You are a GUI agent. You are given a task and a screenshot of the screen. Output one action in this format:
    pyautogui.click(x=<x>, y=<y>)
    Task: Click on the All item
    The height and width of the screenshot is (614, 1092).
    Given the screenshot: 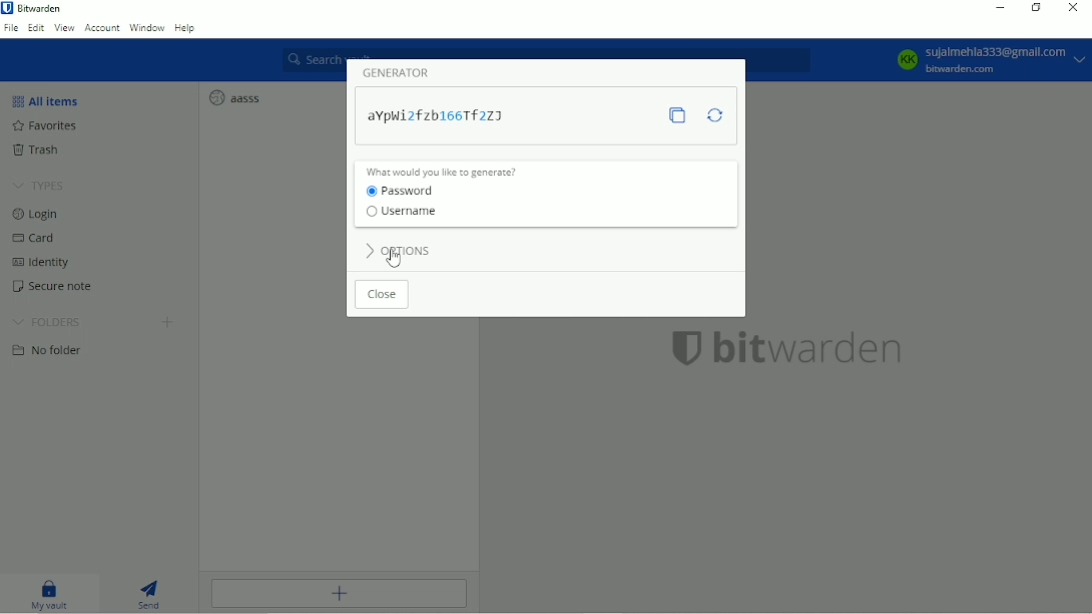 What is the action you would take?
    pyautogui.click(x=46, y=100)
    